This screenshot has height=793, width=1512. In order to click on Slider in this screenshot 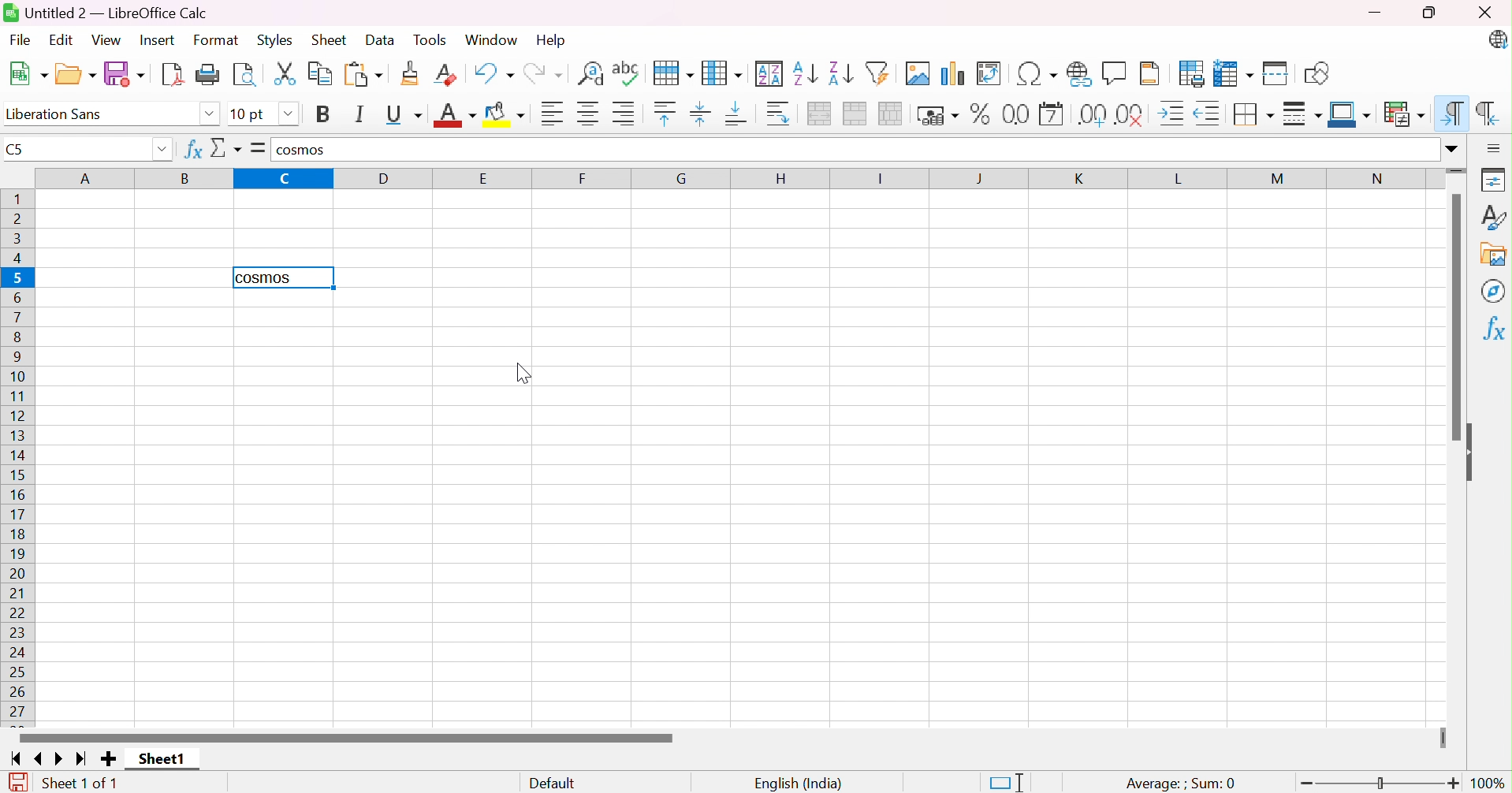, I will do `click(1458, 170)`.